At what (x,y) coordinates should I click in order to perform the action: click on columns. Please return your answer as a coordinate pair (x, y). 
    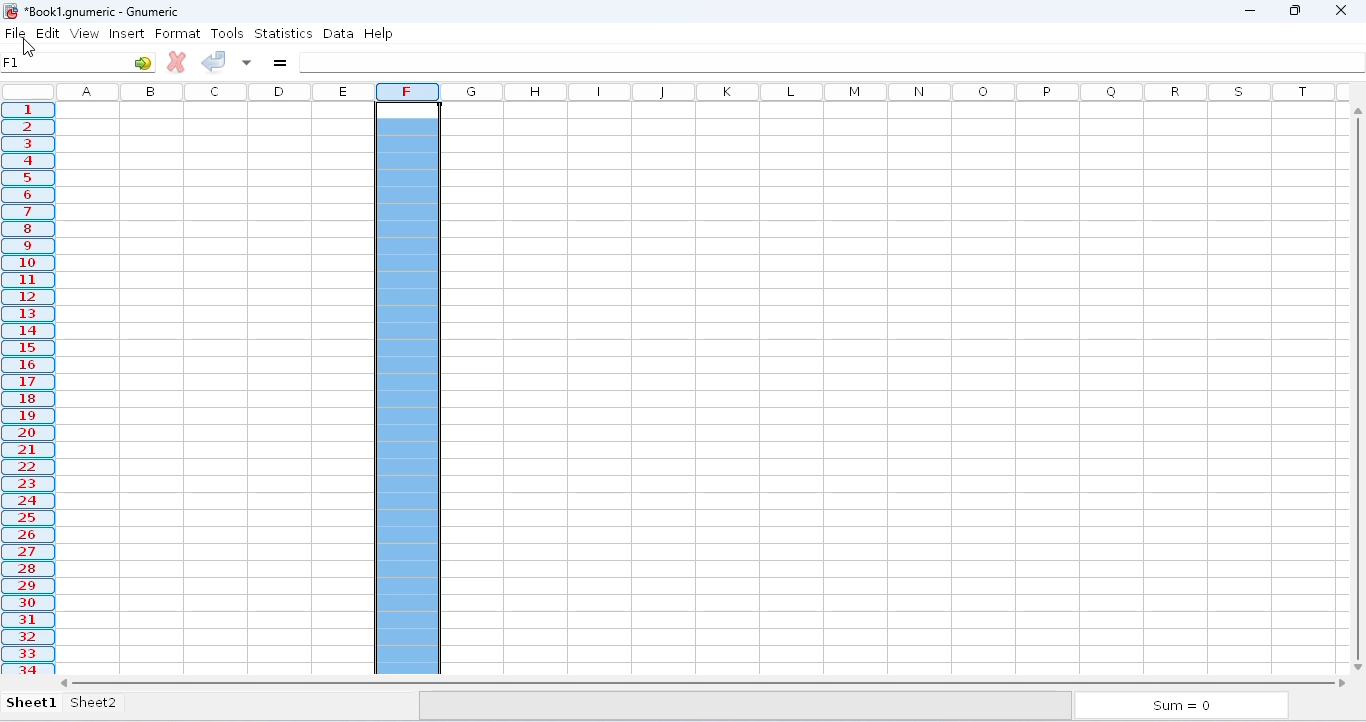
    Looking at the image, I should click on (214, 91).